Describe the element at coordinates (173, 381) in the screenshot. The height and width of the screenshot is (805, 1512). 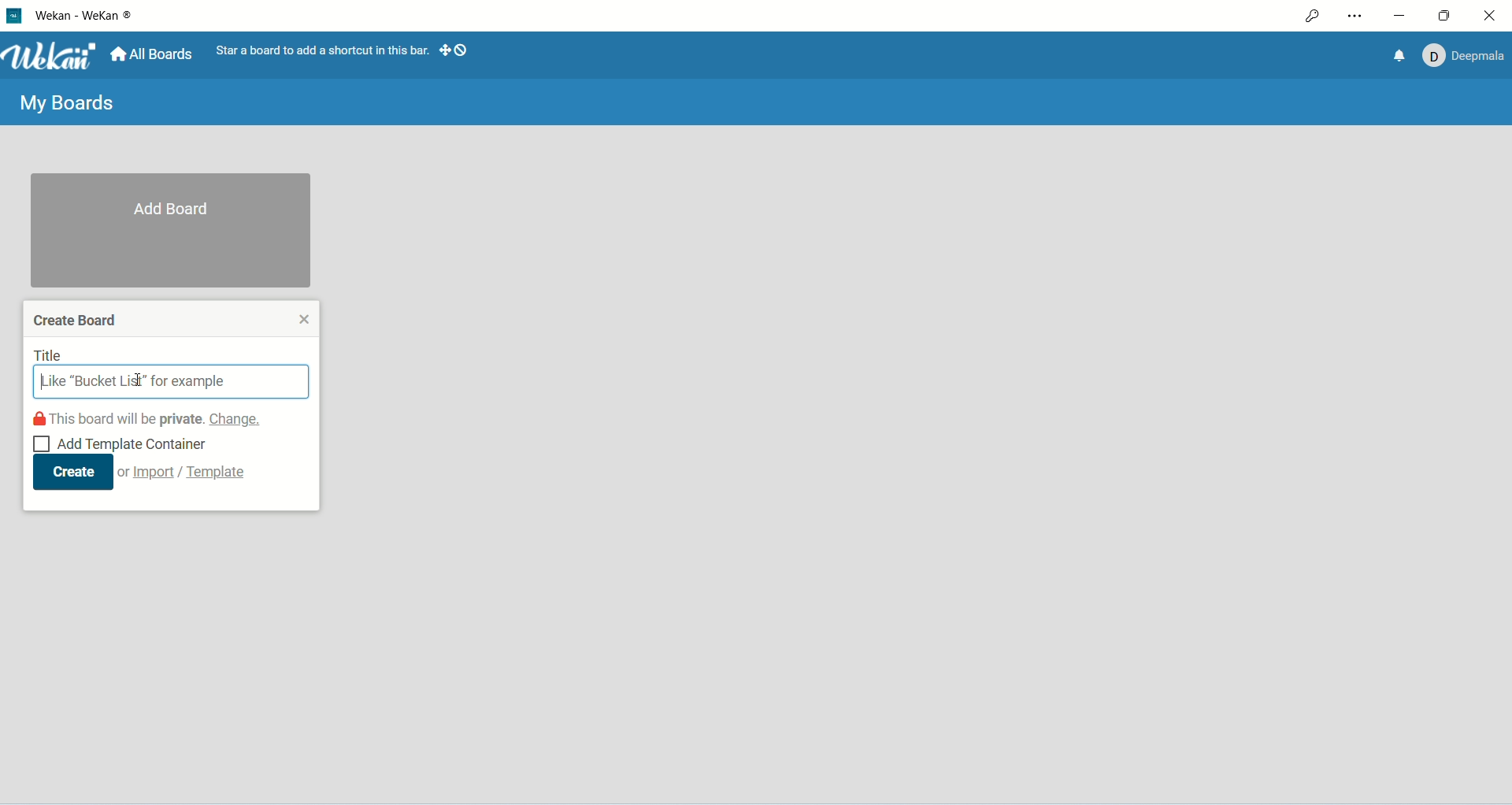
I see `title search` at that location.